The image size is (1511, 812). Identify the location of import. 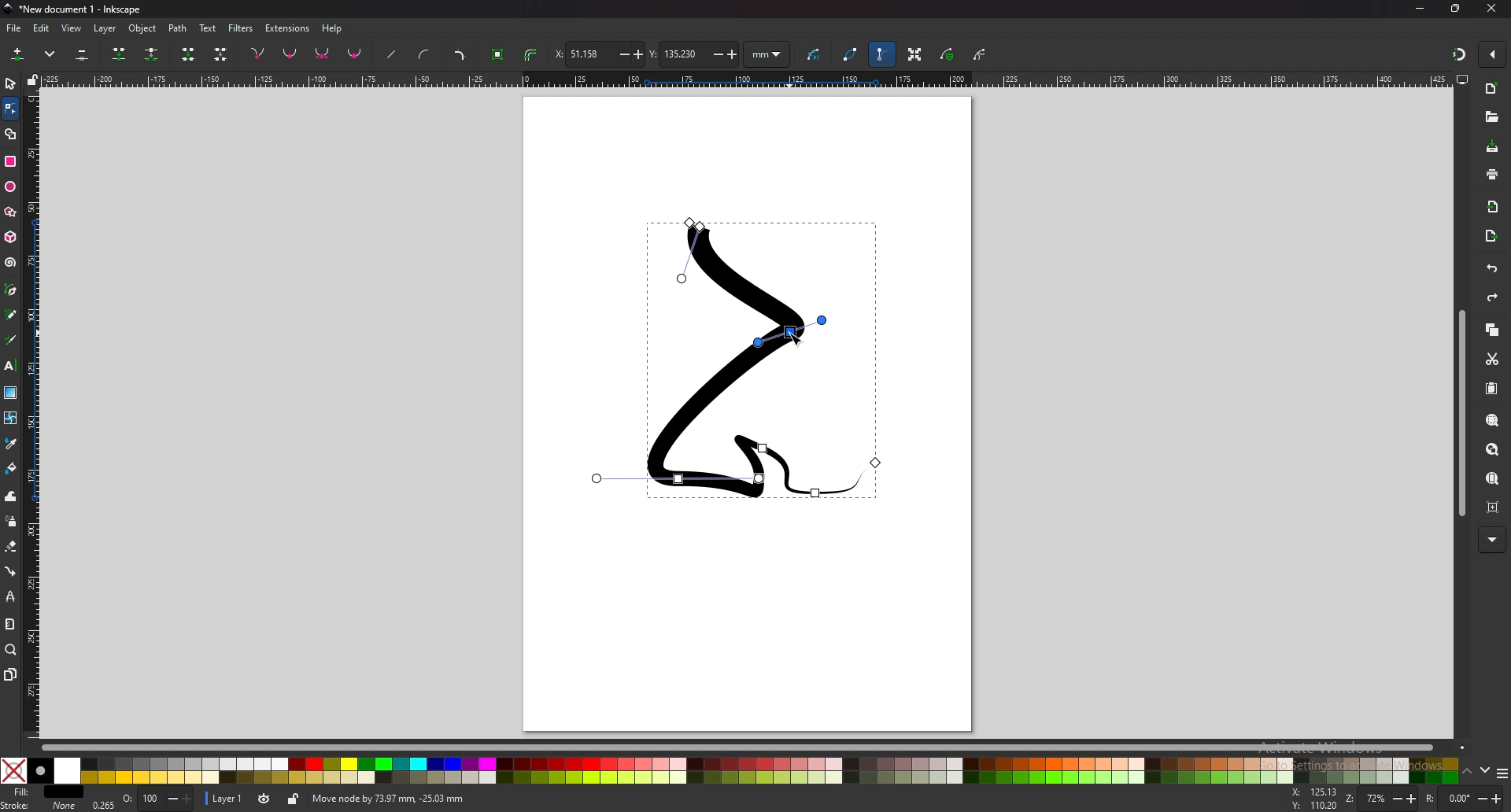
(1493, 206).